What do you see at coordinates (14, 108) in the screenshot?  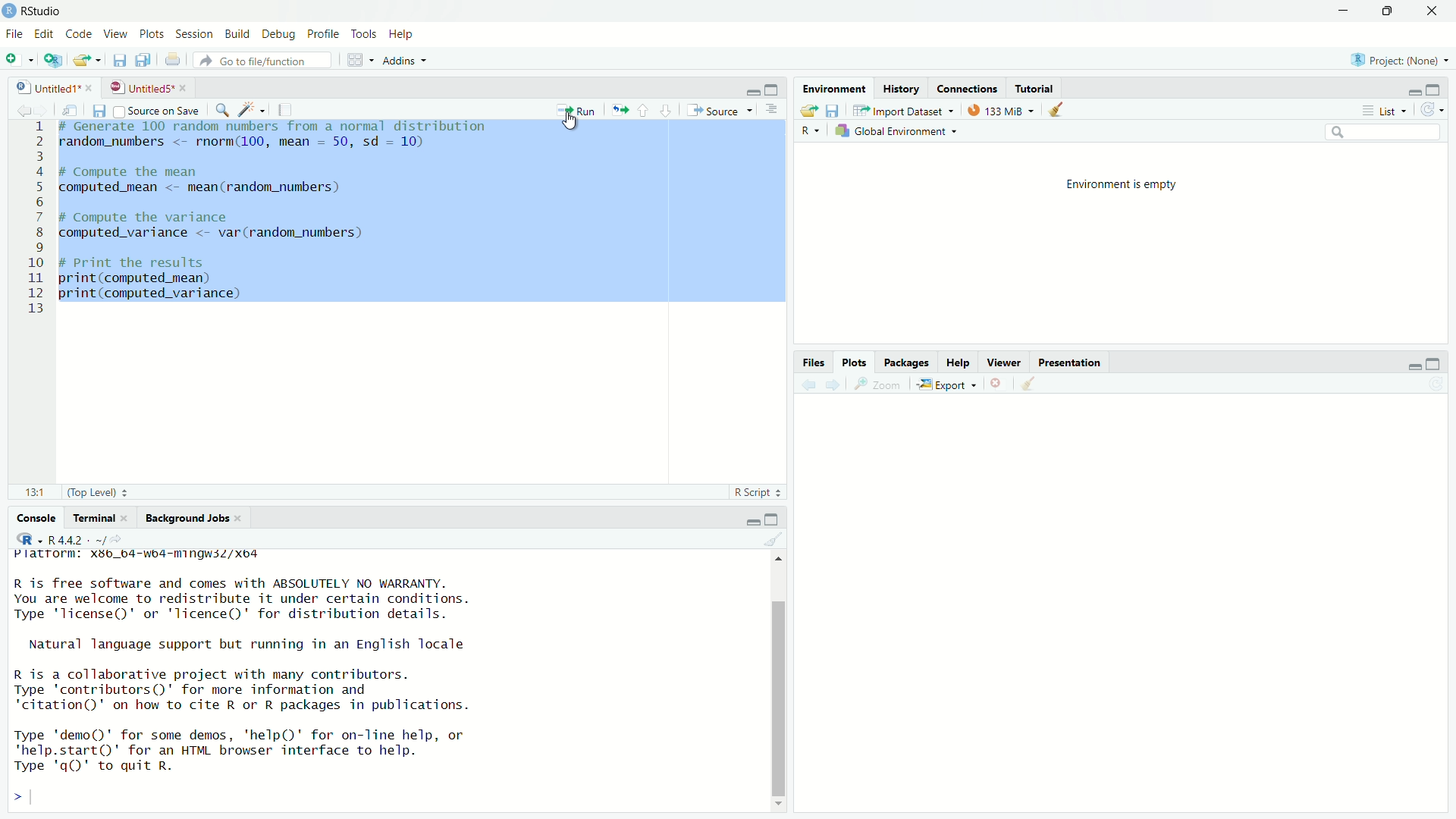 I see `go back to the previous source location` at bounding box center [14, 108].